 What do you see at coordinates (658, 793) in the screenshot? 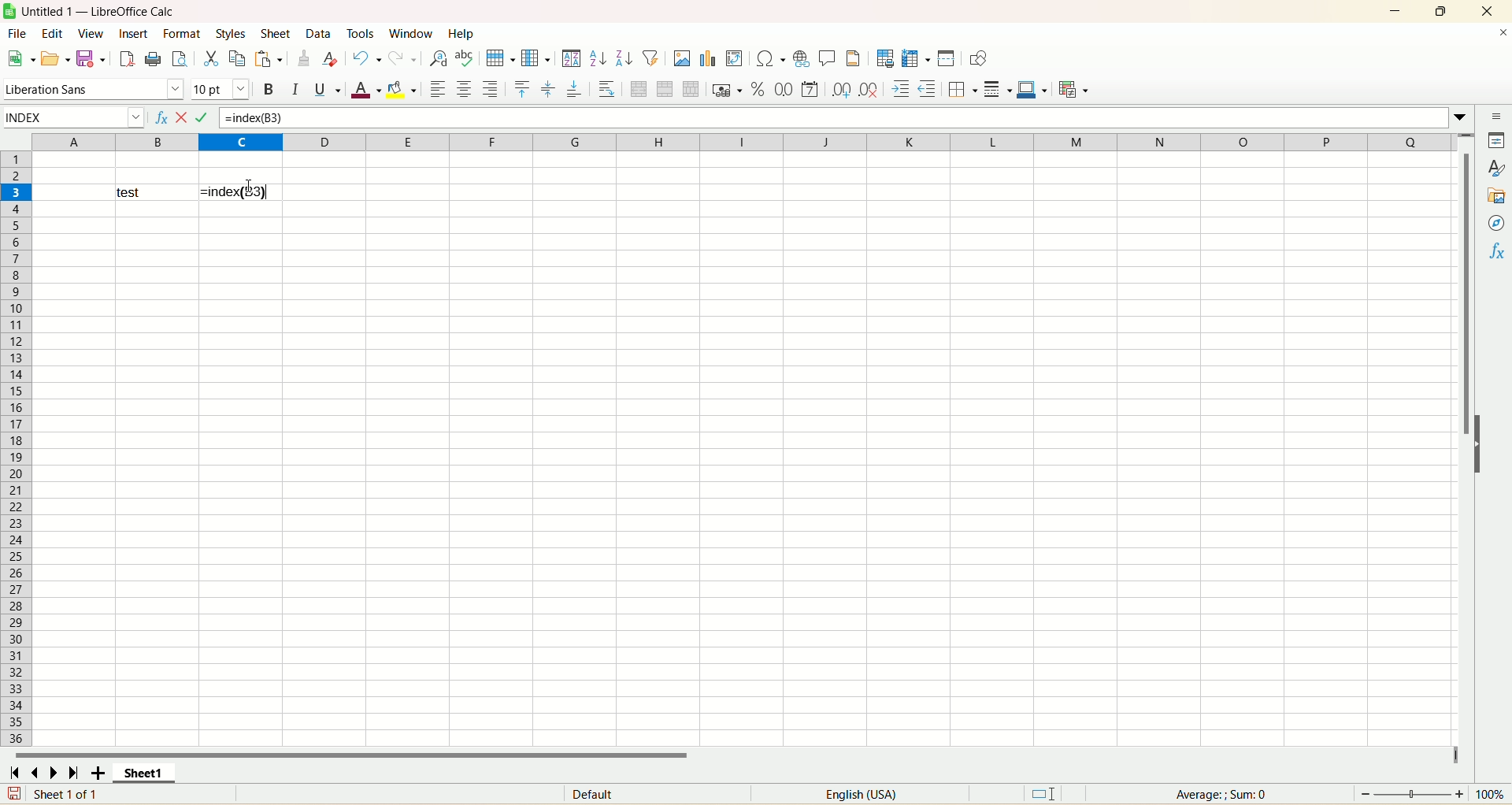
I see `Default` at bounding box center [658, 793].